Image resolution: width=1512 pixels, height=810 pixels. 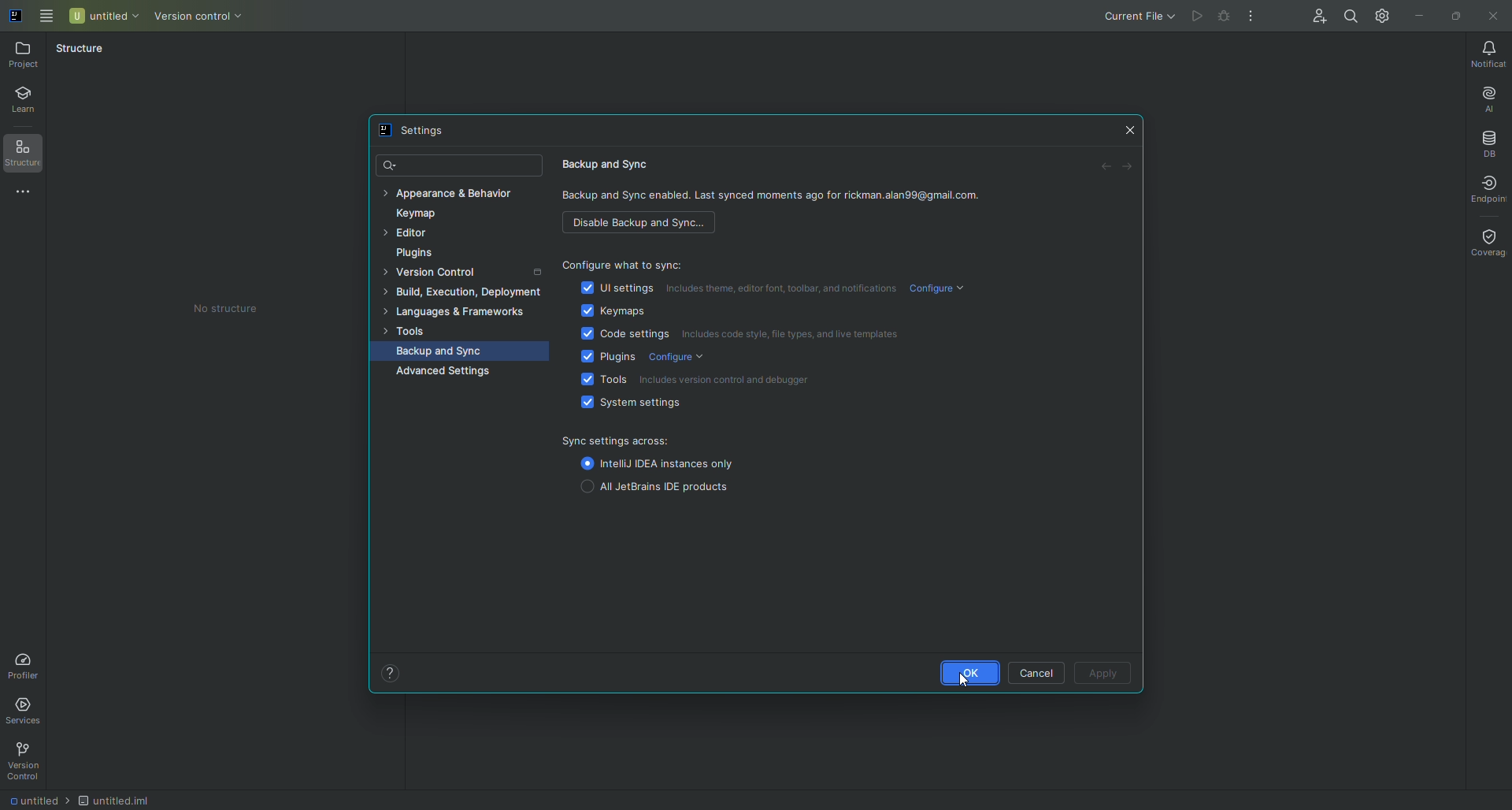 I want to click on Appearance and Behavior, so click(x=458, y=194).